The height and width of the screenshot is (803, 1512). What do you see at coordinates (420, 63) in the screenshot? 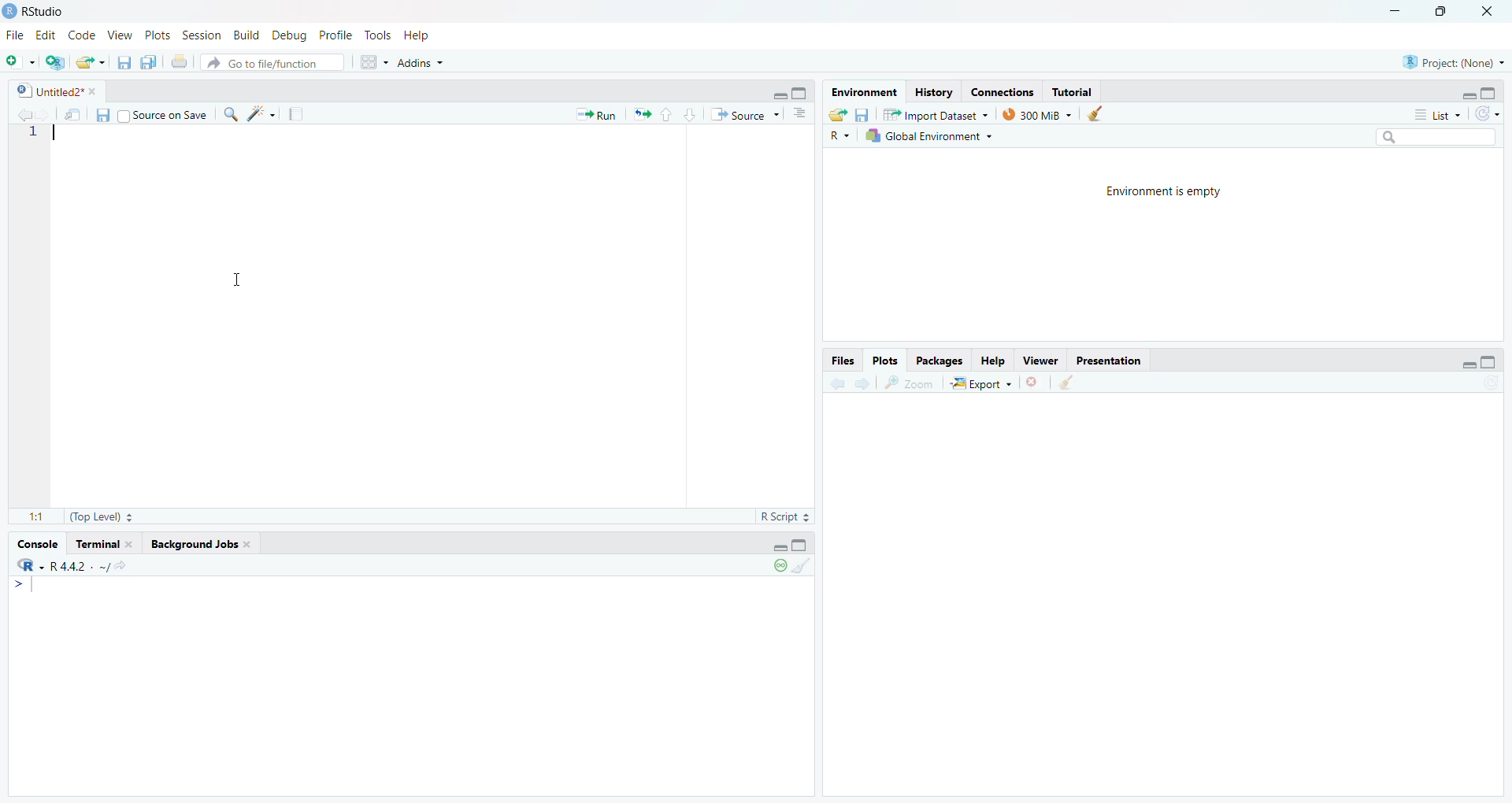
I see `Addins ` at bounding box center [420, 63].